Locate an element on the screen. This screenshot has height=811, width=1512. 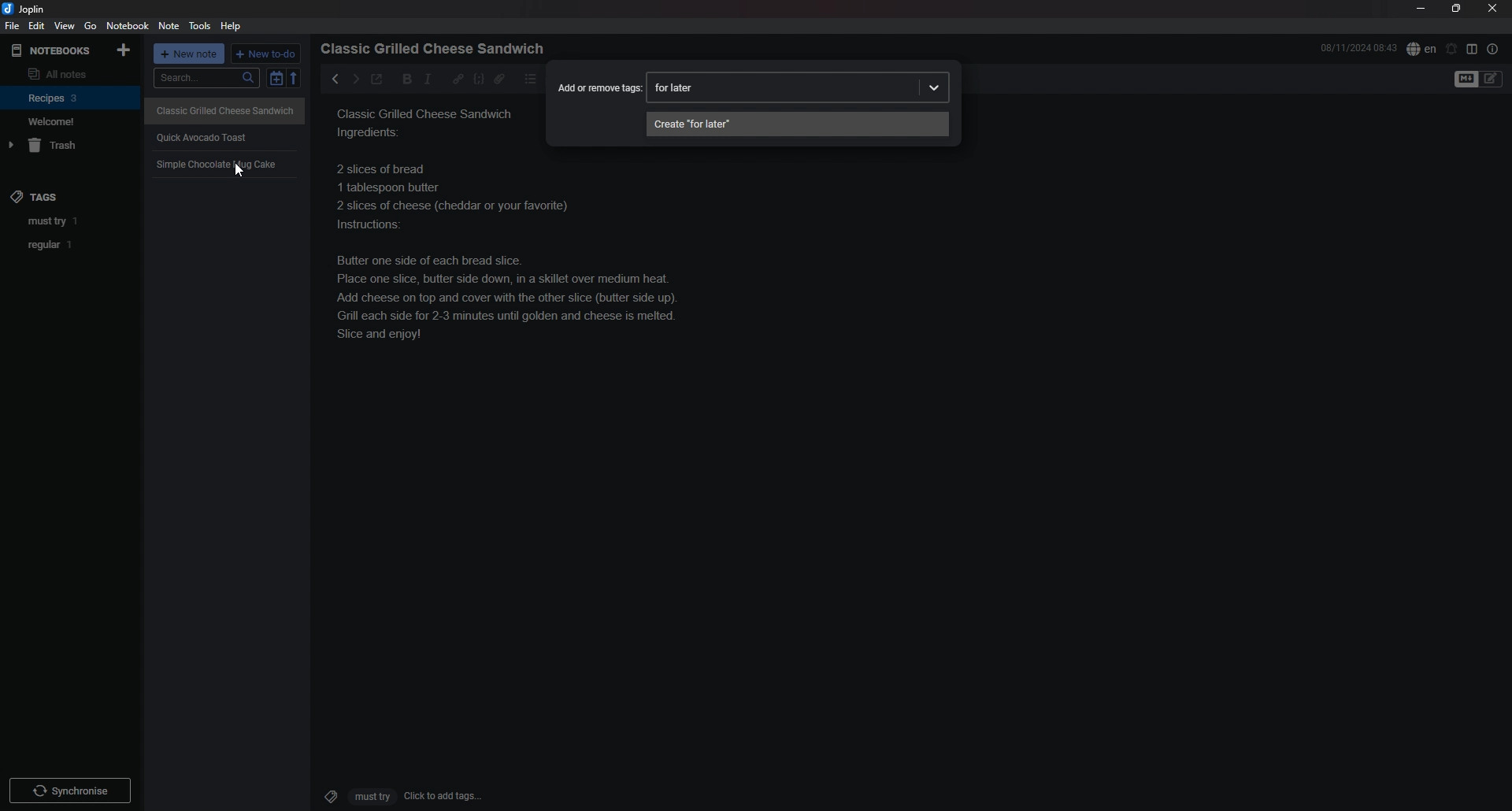
search is located at coordinates (206, 78).